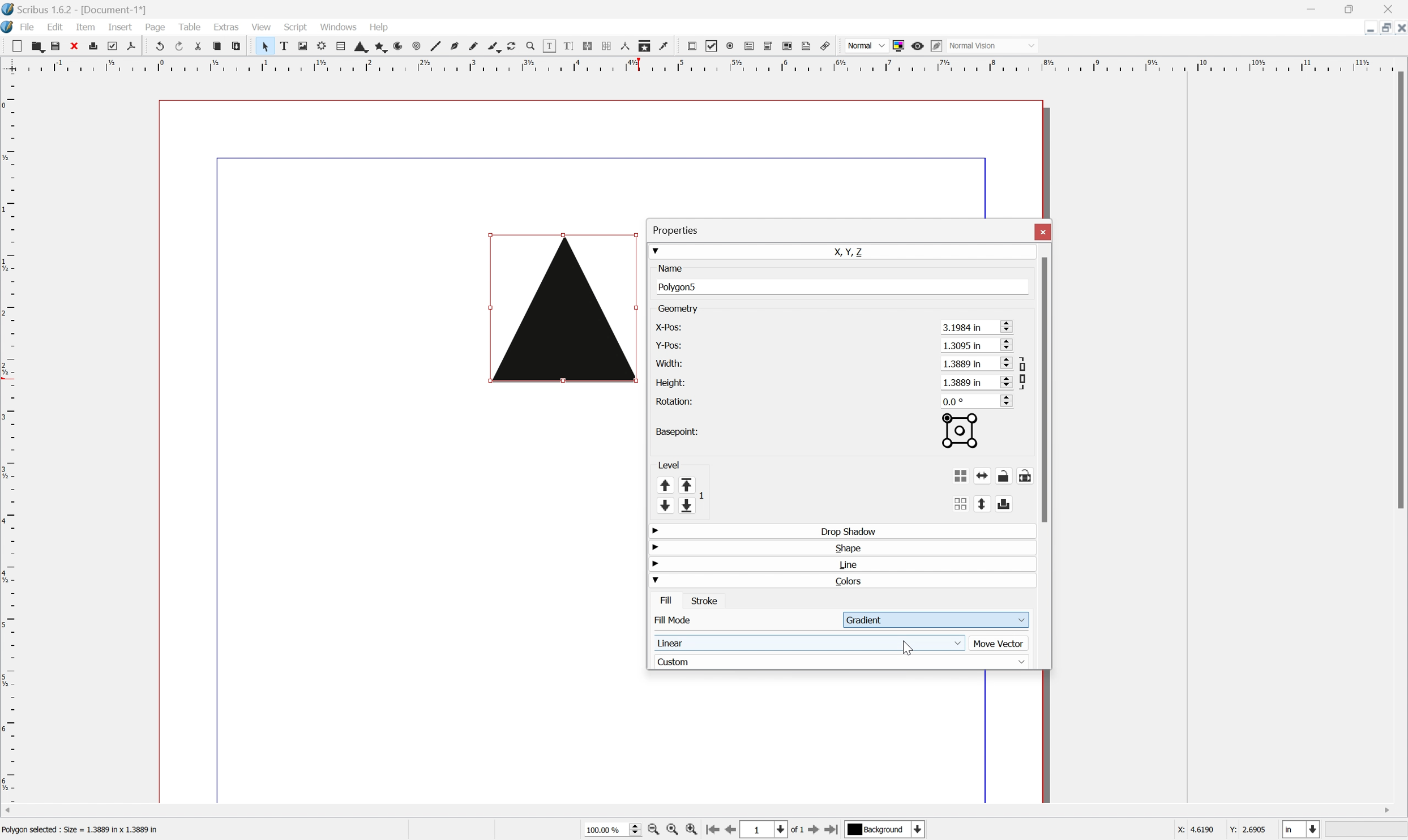  I want to click on X, Y, Z, so click(859, 251).